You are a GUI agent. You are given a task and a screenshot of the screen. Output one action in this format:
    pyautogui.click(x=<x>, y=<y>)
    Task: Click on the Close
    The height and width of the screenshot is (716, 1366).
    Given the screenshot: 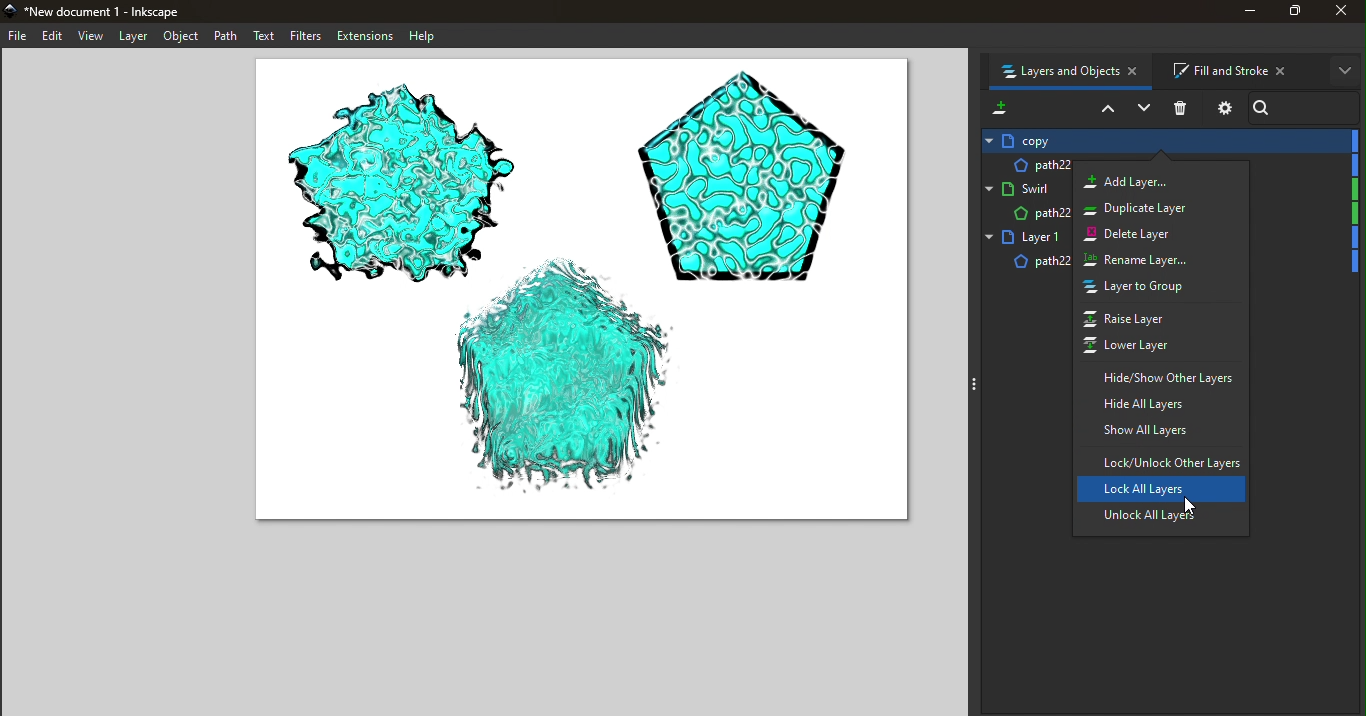 What is the action you would take?
    pyautogui.click(x=1344, y=14)
    